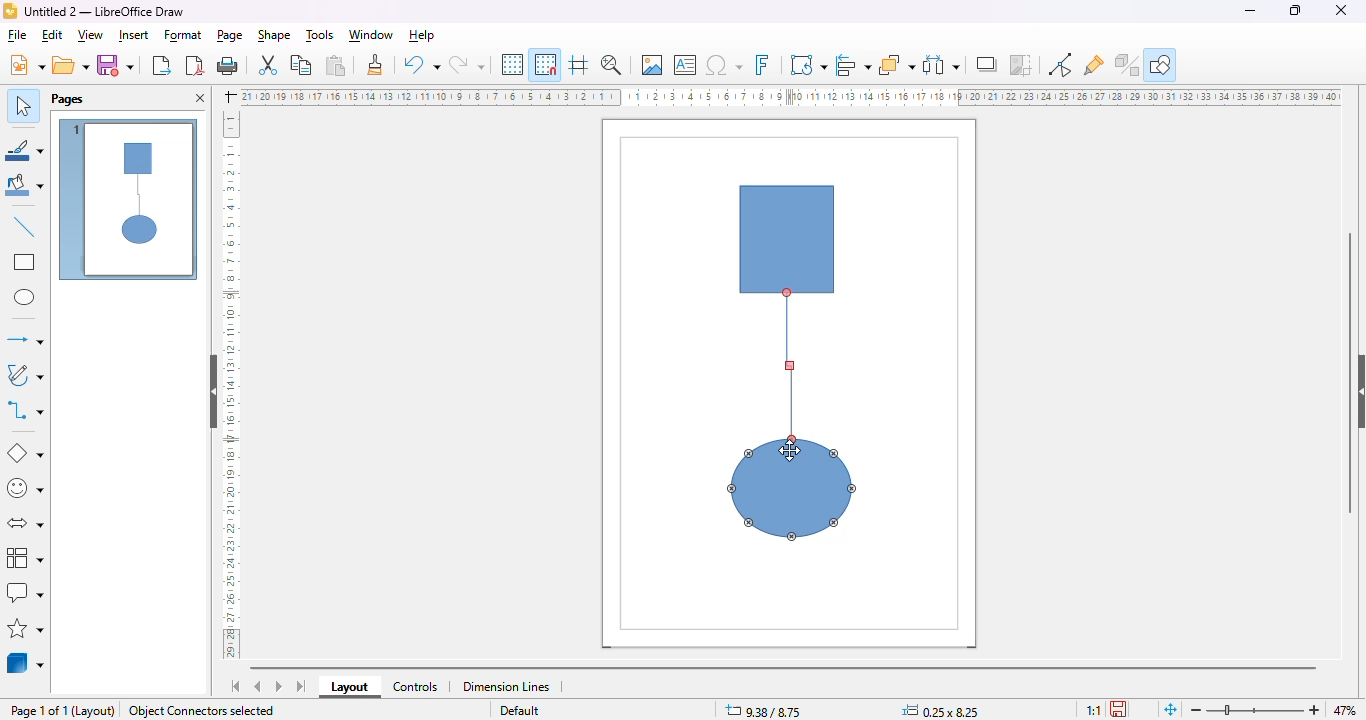 This screenshot has height=720, width=1366. What do you see at coordinates (27, 628) in the screenshot?
I see `stars and banners` at bounding box center [27, 628].